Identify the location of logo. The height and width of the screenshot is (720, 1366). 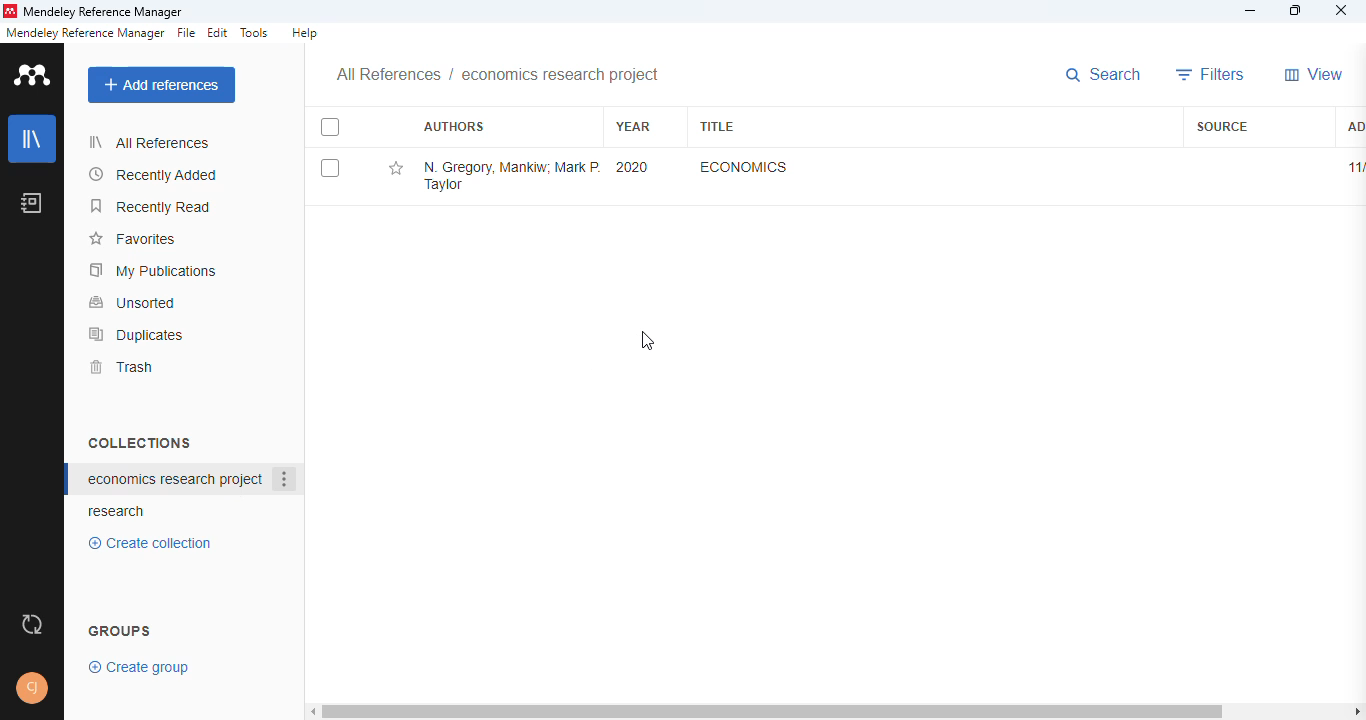
(9, 11).